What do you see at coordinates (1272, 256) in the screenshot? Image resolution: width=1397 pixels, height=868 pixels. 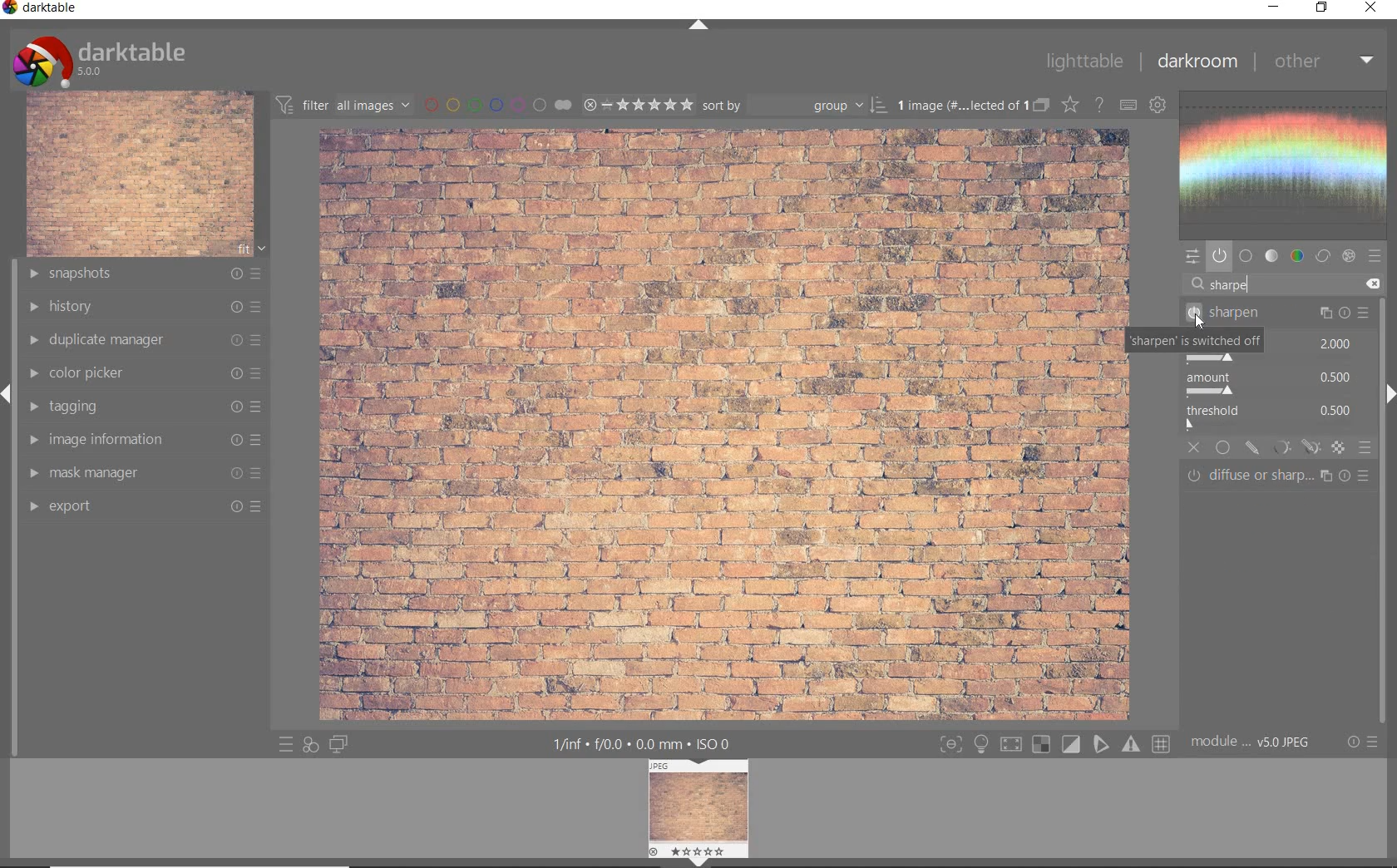 I see `tone ` at bounding box center [1272, 256].